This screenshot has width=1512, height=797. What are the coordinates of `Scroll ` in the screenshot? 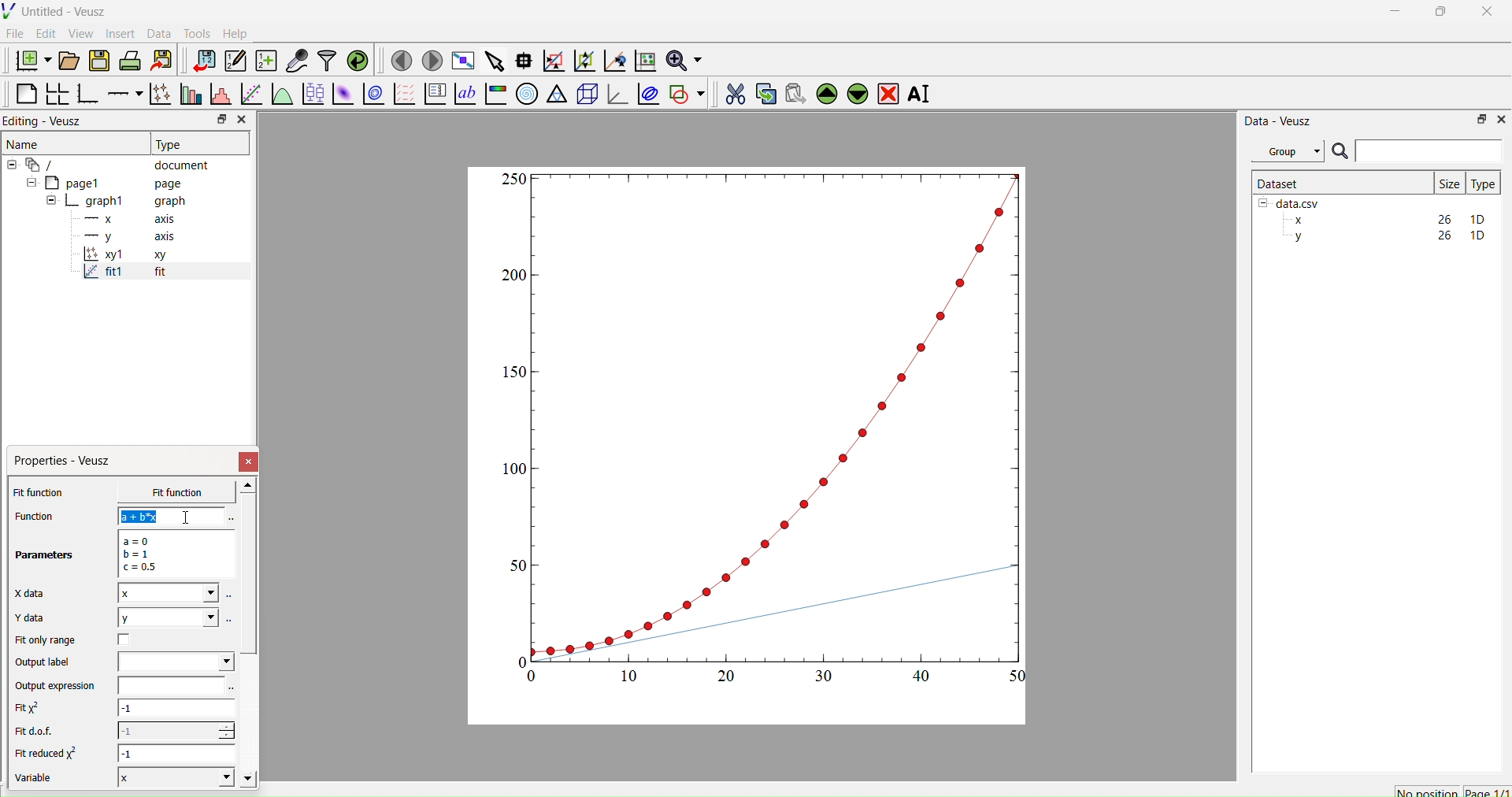 It's located at (249, 634).